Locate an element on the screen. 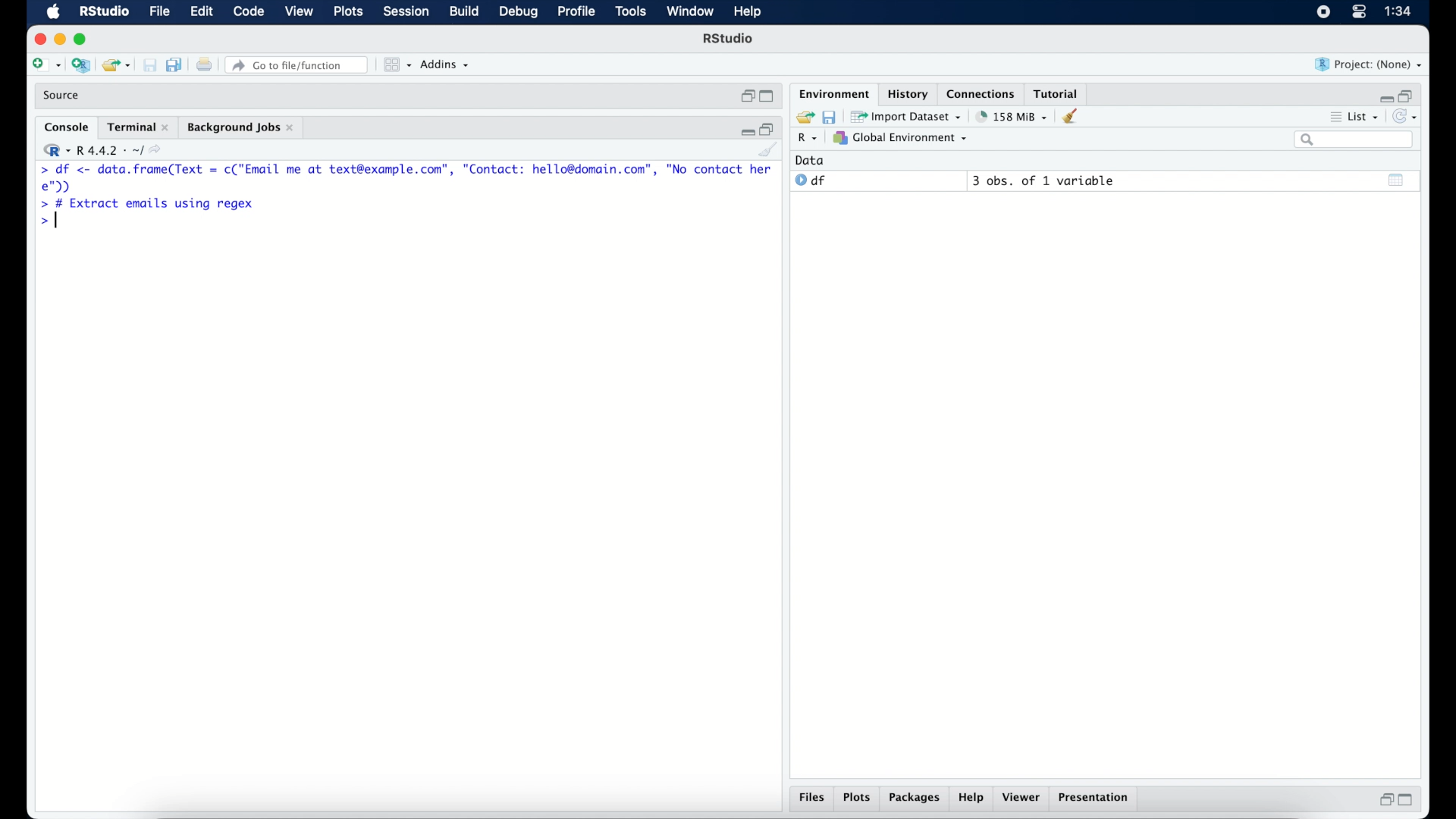 The image size is (1456, 819). History is located at coordinates (906, 93).